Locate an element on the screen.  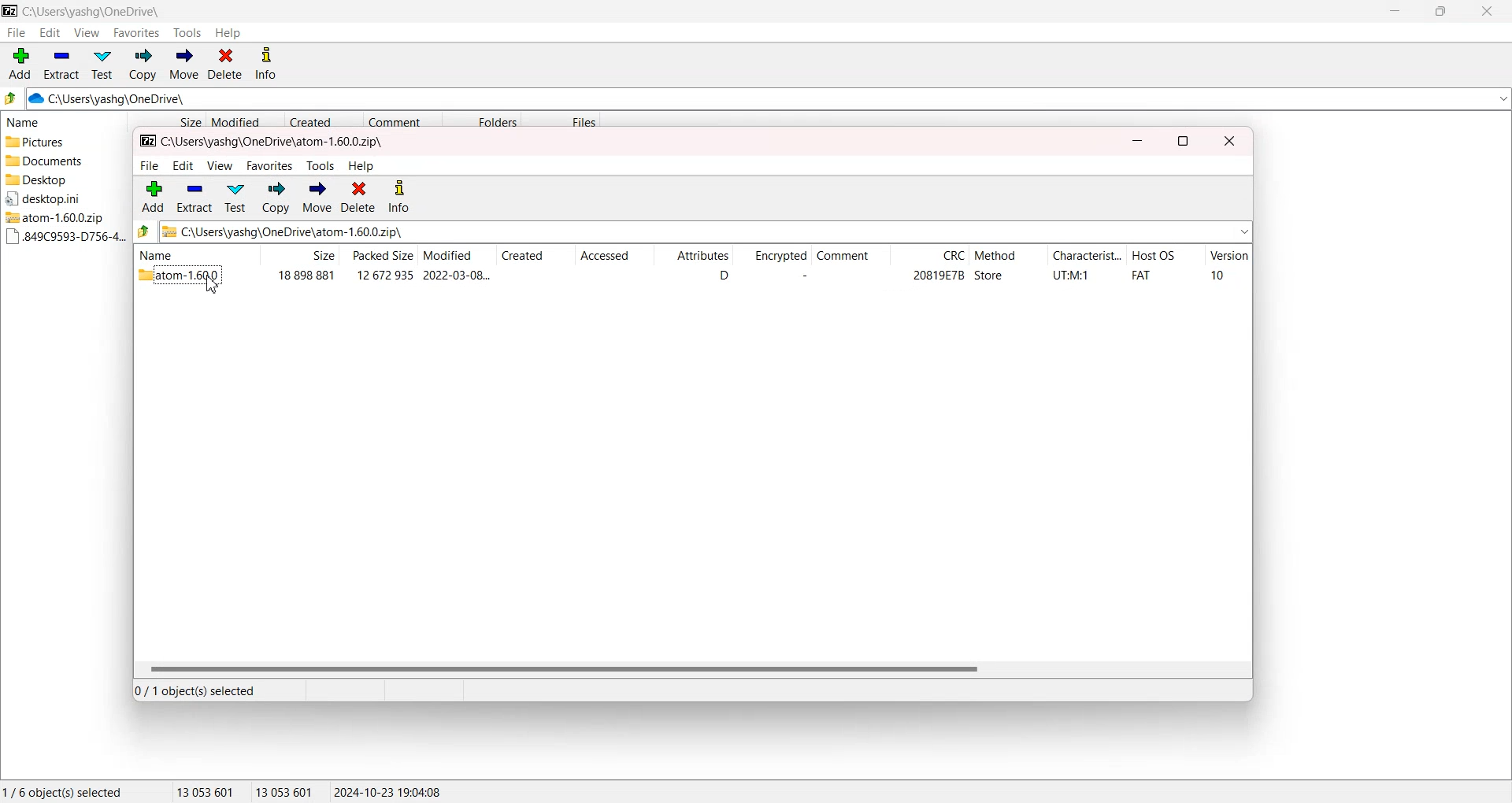
Created Date is located at coordinates (324, 120).